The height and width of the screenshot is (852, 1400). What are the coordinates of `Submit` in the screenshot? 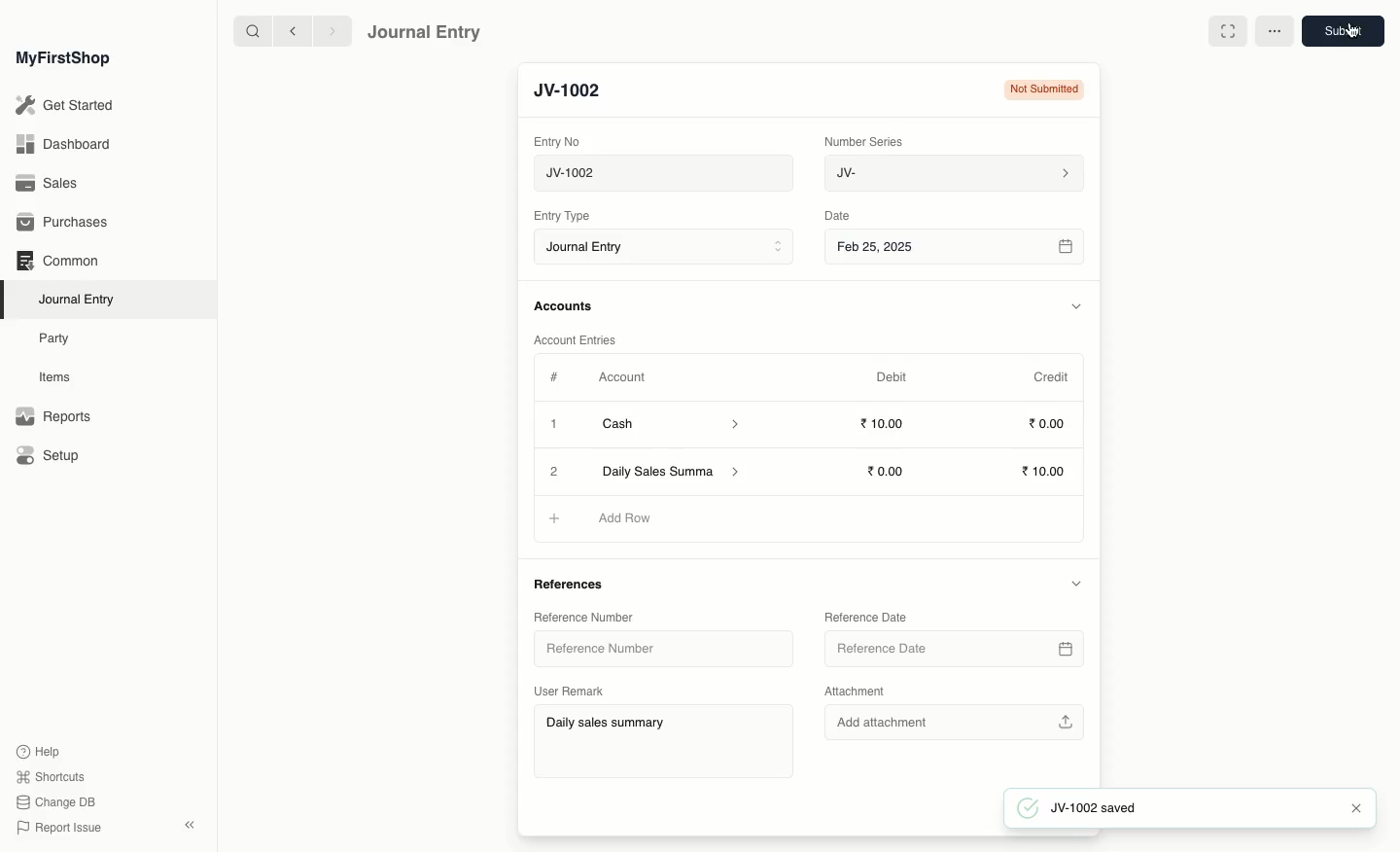 It's located at (1341, 30).